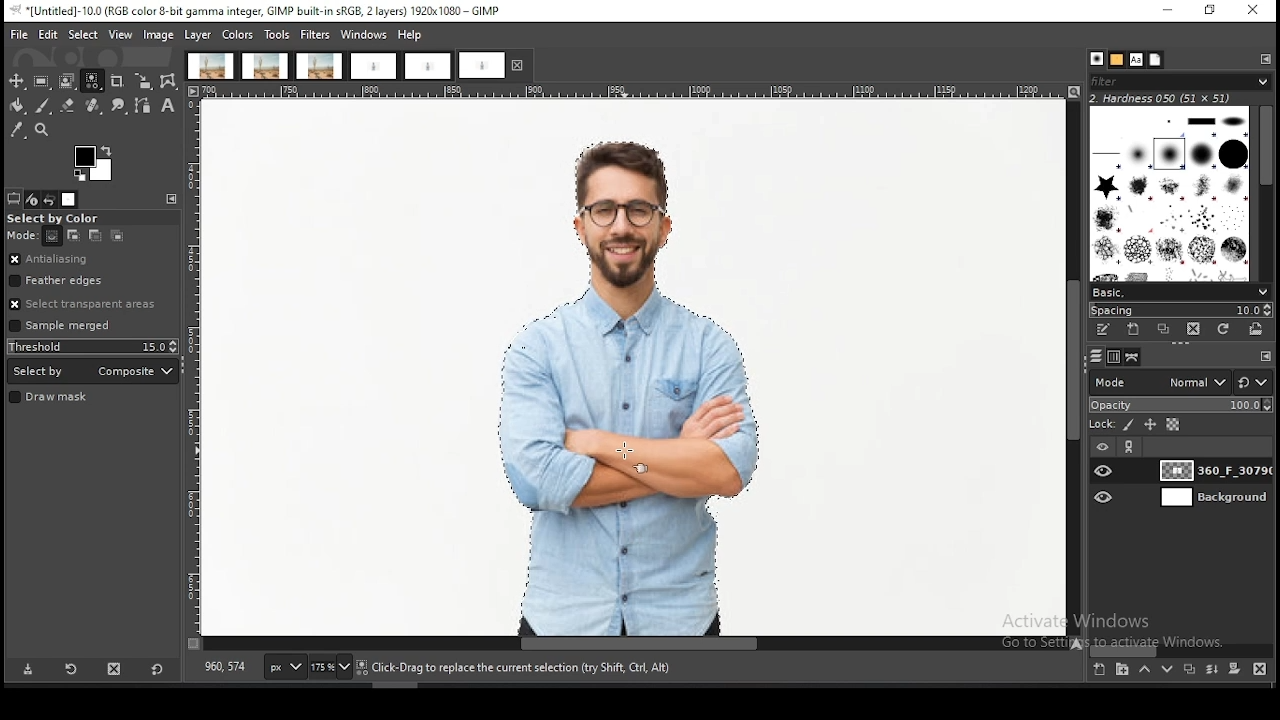 The width and height of the screenshot is (1280, 720). Describe the element at coordinates (119, 106) in the screenshot. I see `smudge tool` at that location.